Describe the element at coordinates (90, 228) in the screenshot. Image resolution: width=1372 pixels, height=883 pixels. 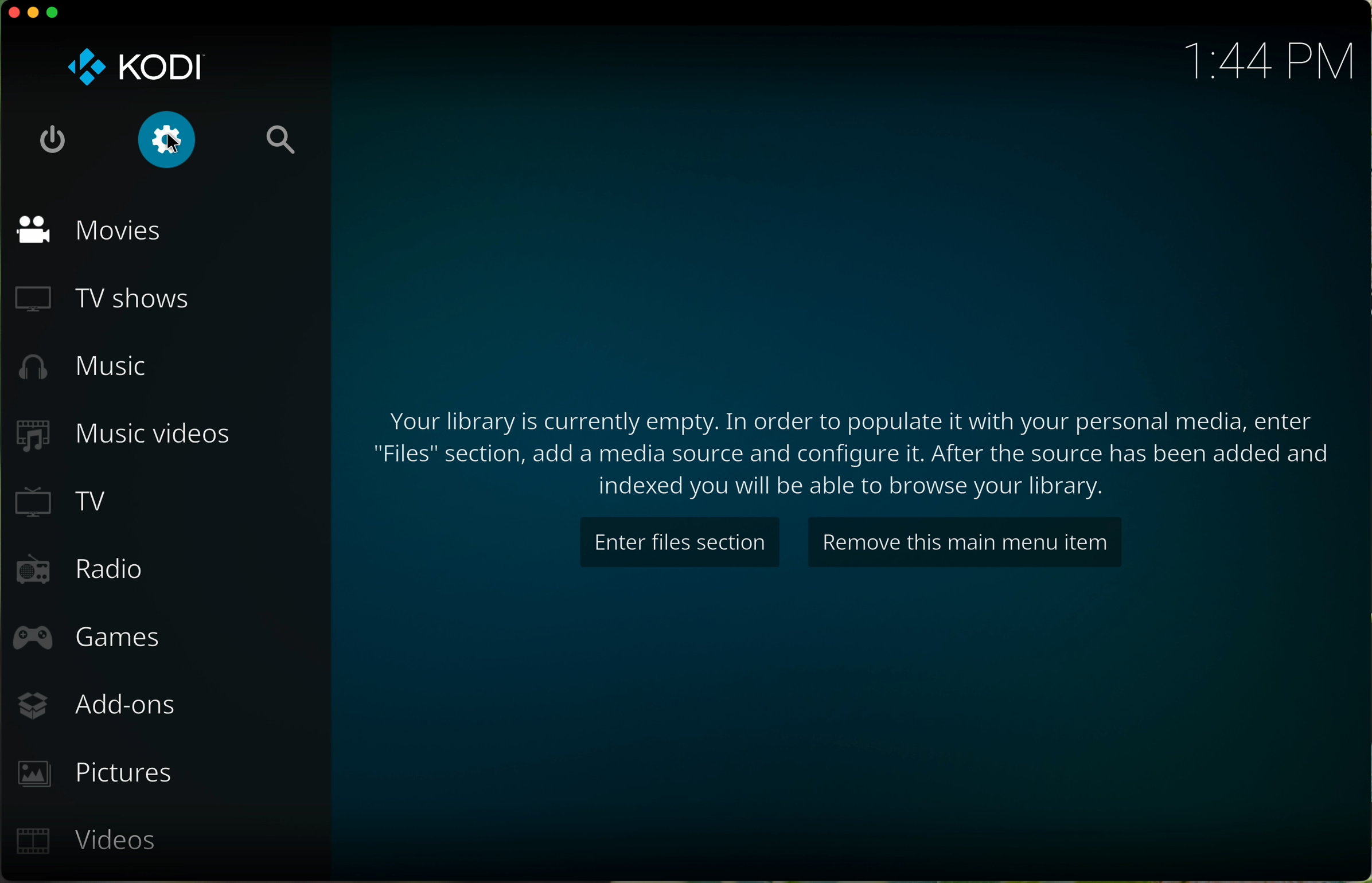
I see `movies` at that location.